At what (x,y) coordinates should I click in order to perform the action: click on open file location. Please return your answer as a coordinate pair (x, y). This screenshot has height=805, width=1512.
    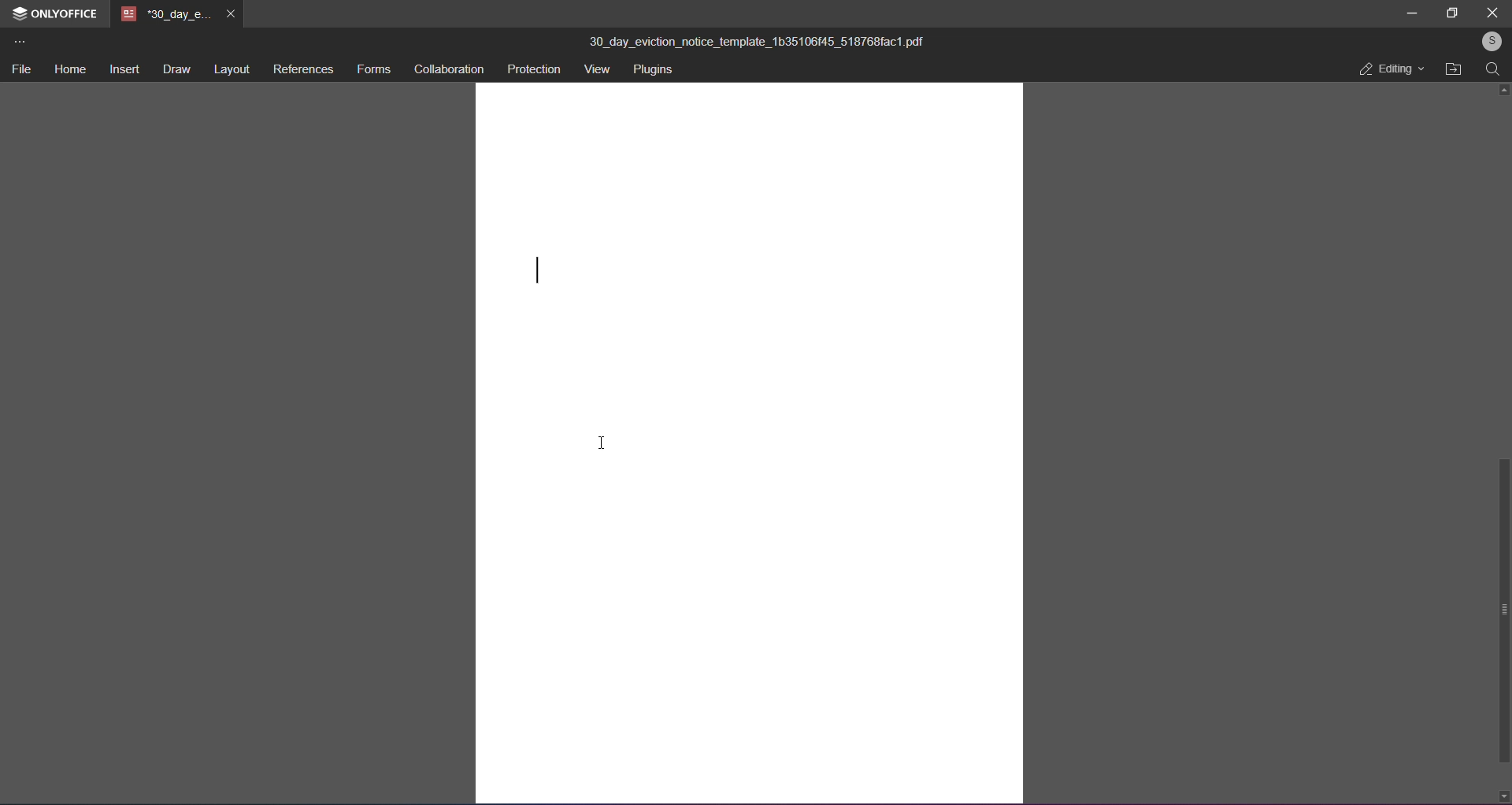
    Looking at the image, I should click on (1453, 70).